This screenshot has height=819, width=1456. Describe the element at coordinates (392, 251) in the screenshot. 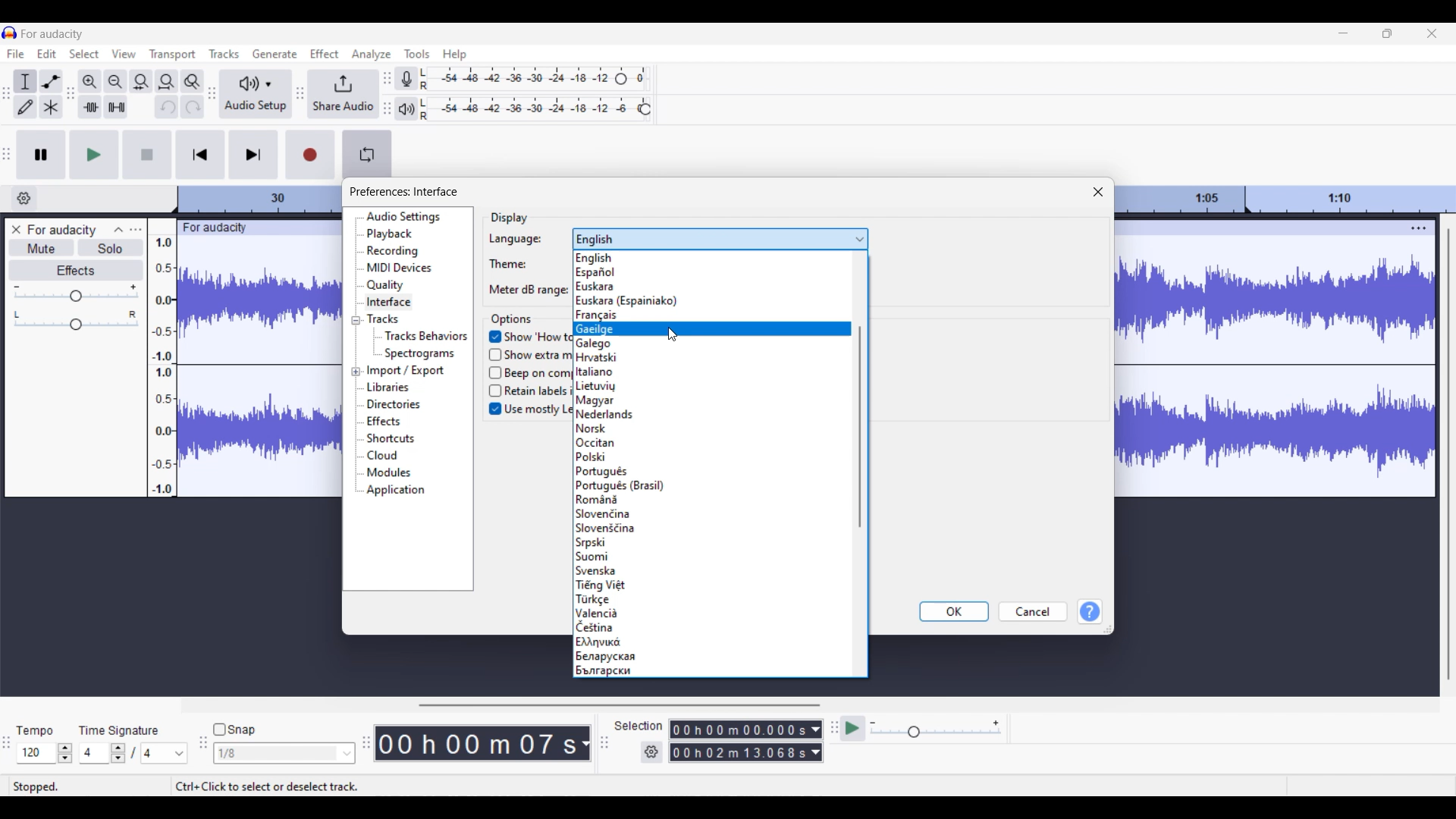

I see `Recording` at that location.